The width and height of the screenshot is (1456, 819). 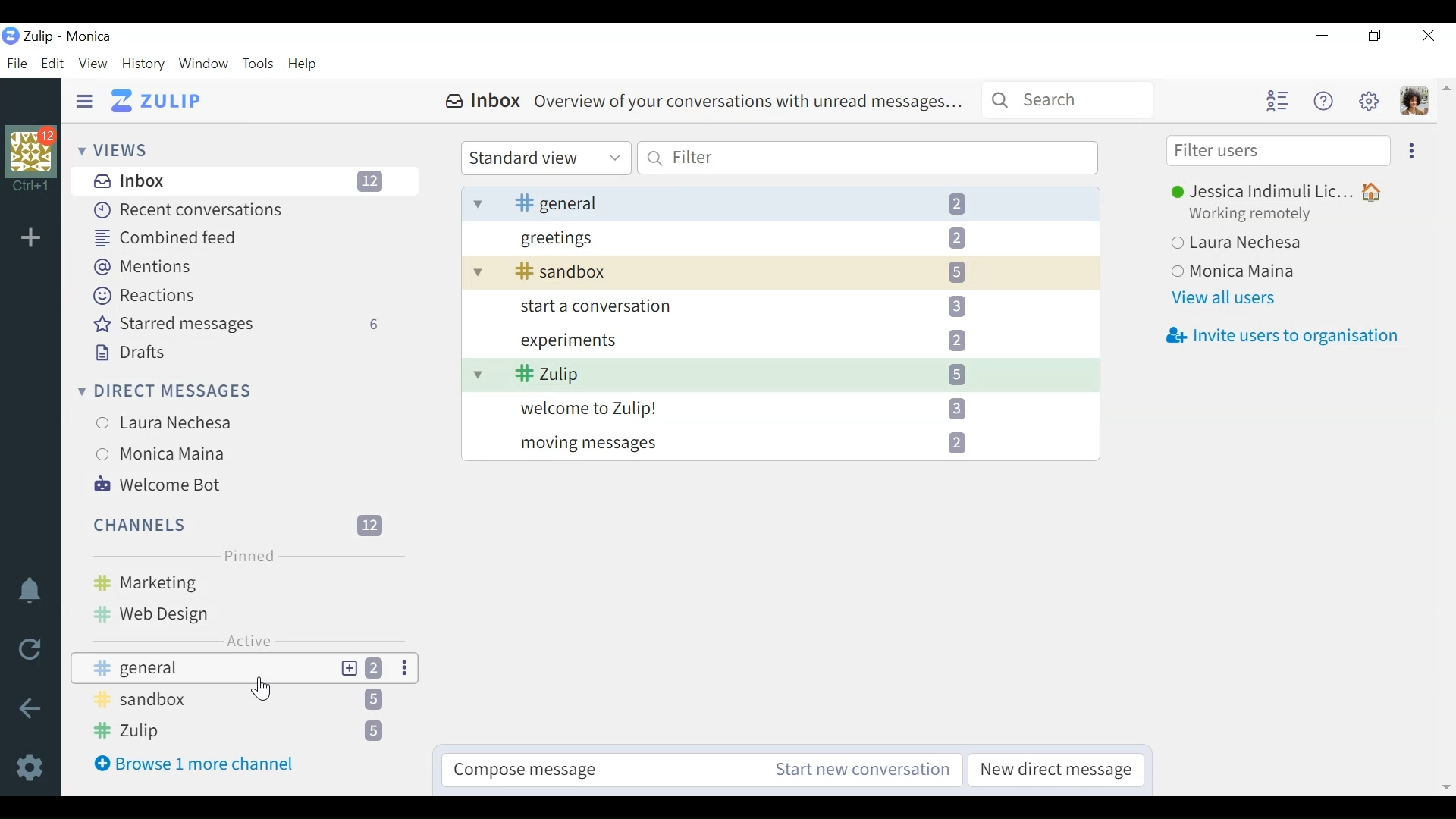 I want to click on Ctrl + 1, so click(x=31, y=188).